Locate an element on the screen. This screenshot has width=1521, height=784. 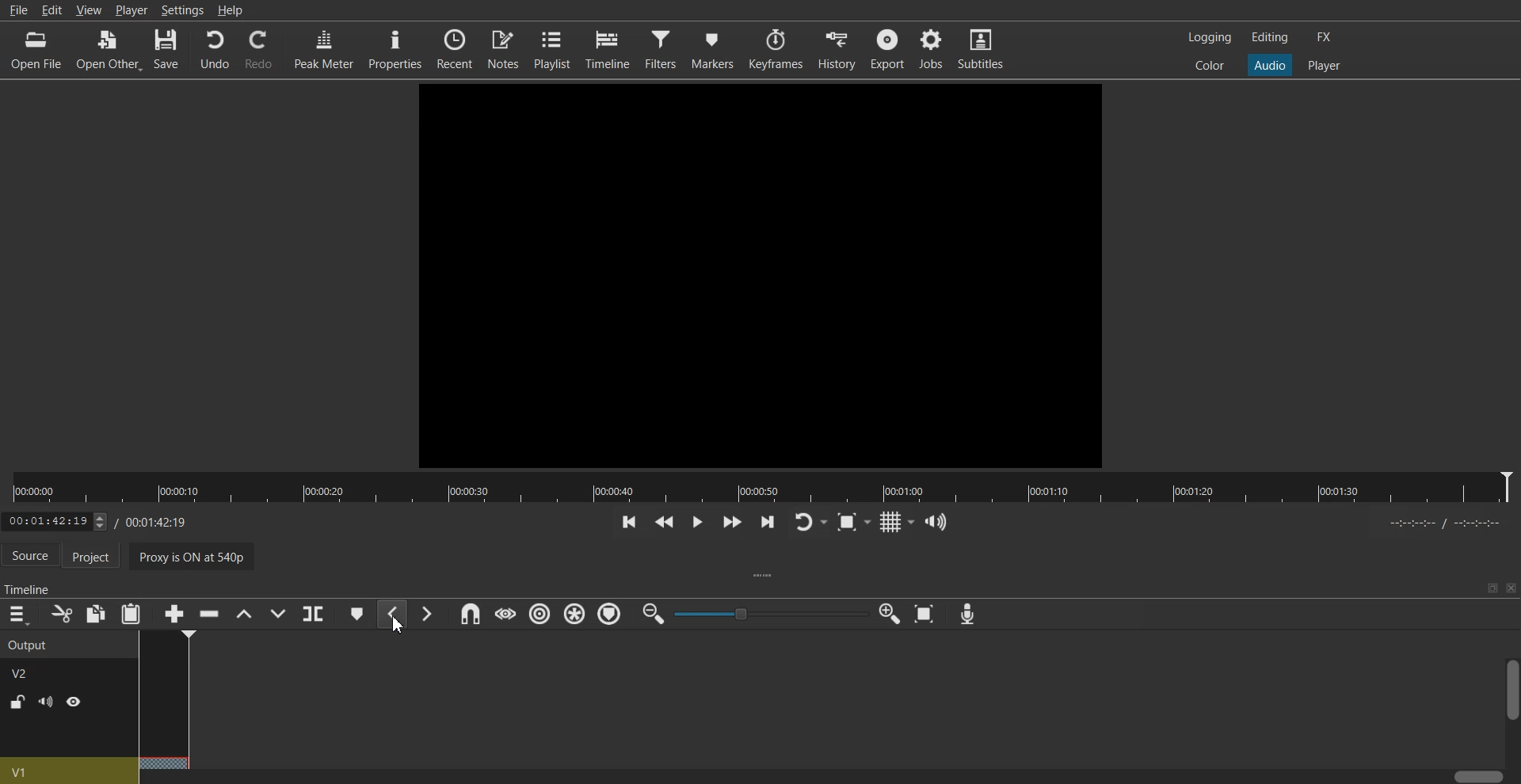
Skip to the previous point is located at coordinates (627, 521).